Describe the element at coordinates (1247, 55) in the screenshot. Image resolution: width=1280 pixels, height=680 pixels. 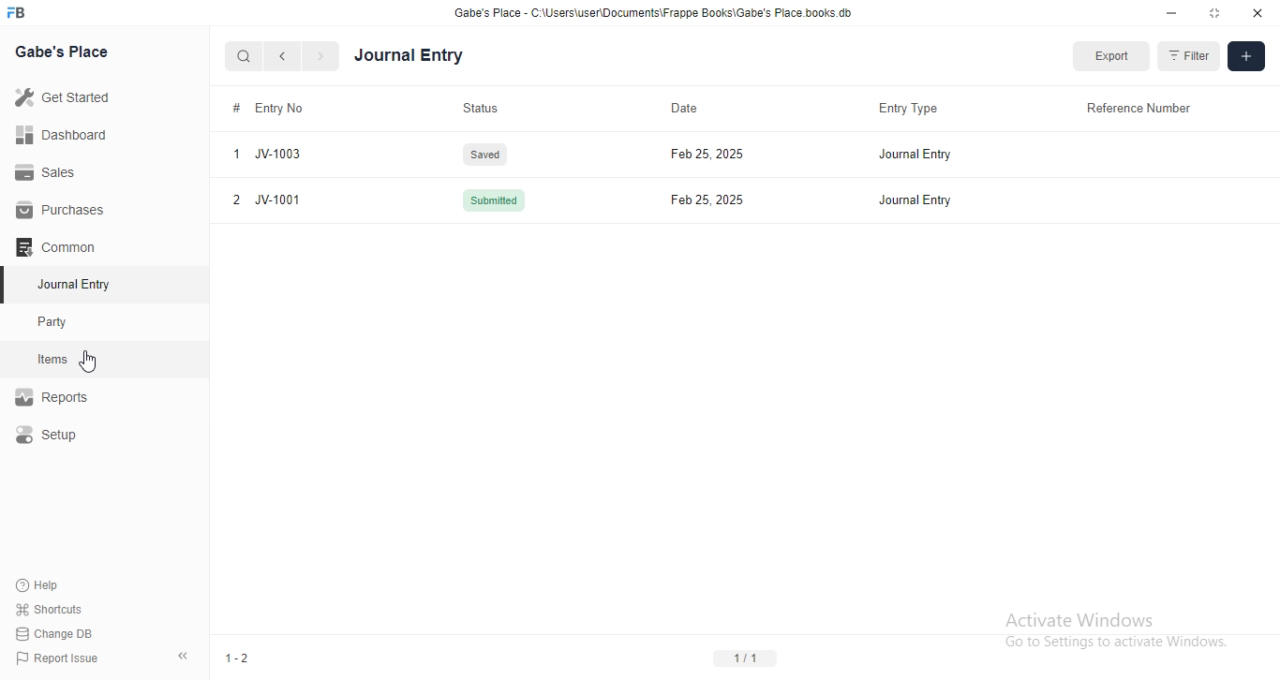
I see `+` at that location.